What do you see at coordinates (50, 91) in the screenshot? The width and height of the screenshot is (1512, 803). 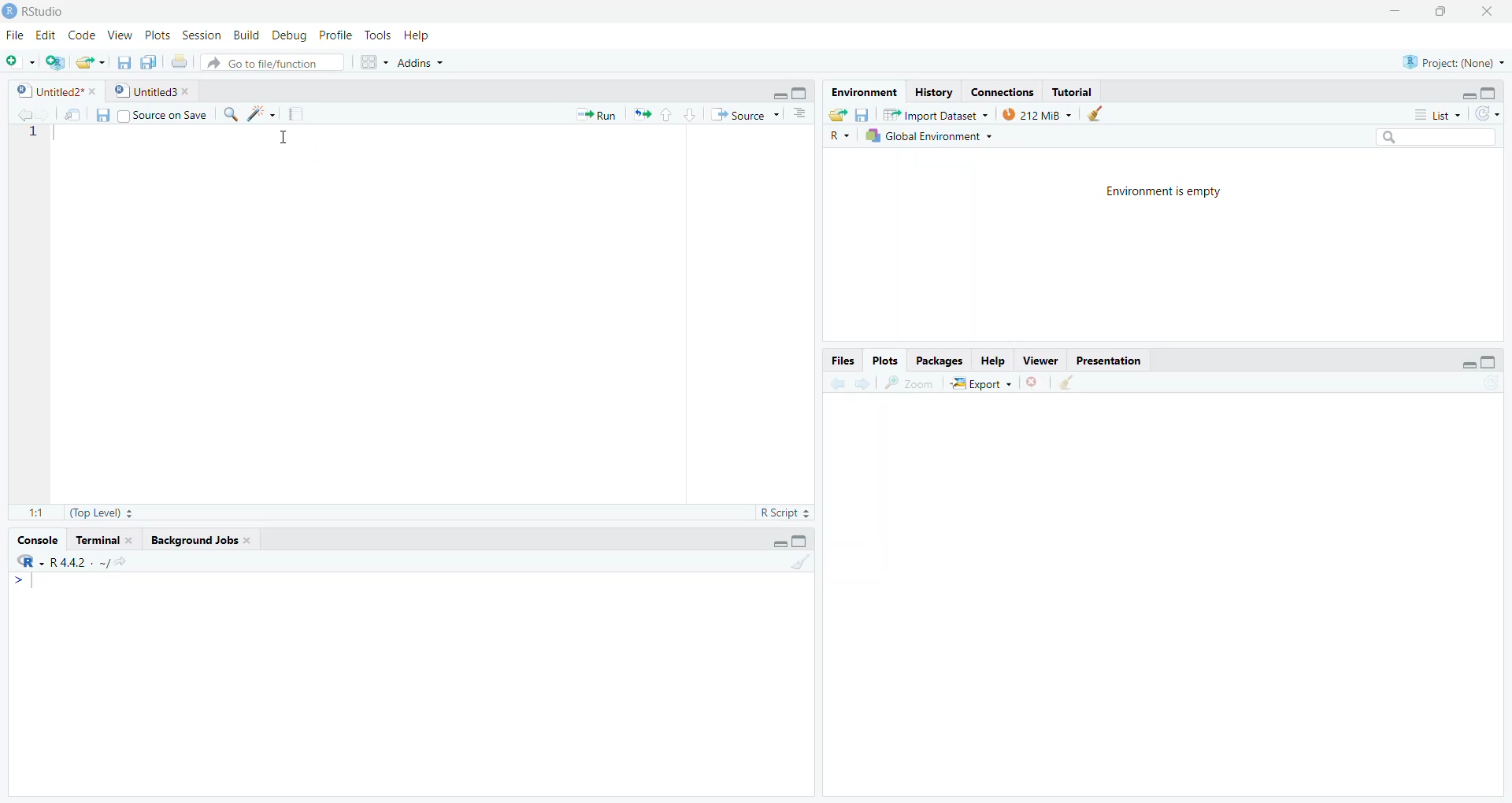 I see `untitled2` at bounding box center [50, 91].